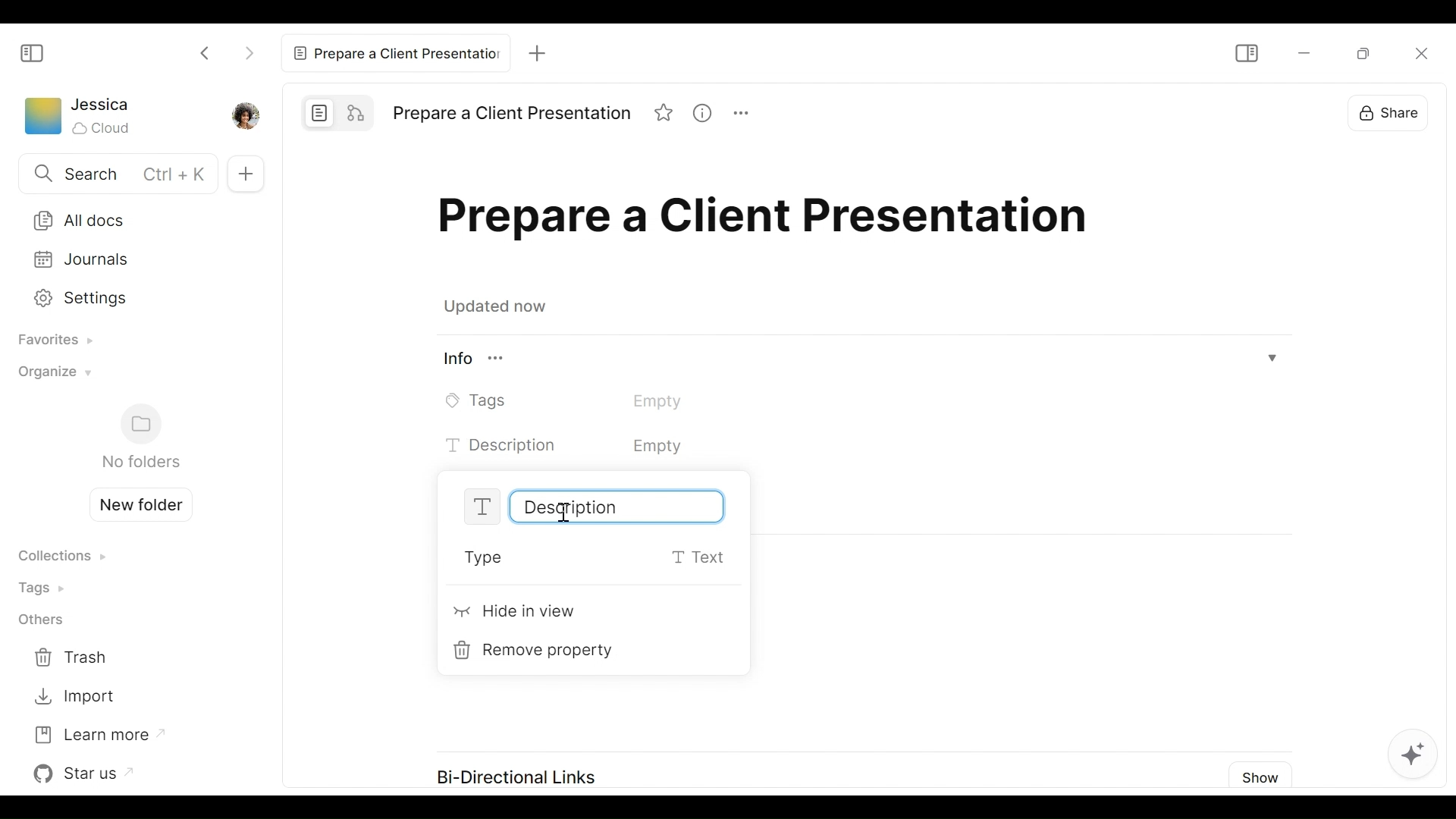 The height and width of the screenshot is (819, 1456). I want to click on Star us, so click(87, 773).